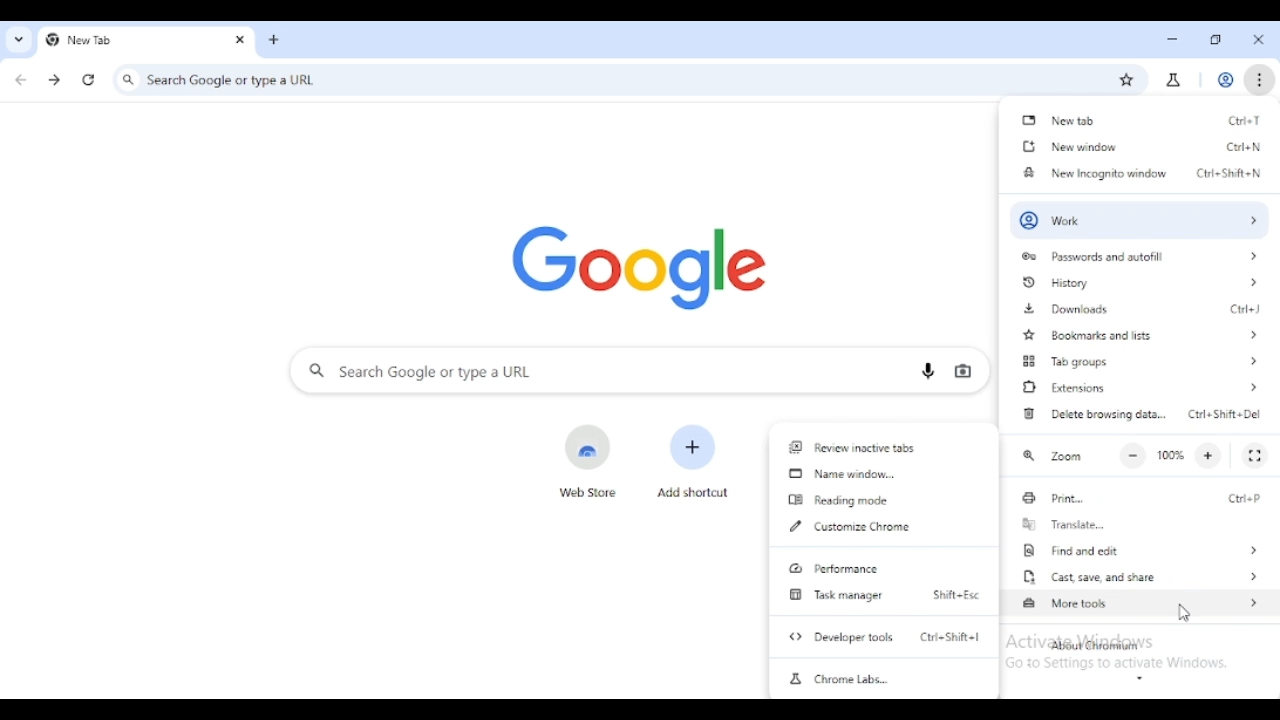 Image resolution: width=1280 pixels, height=720 pixels. I want to click on close tab, so click(1259, 39).